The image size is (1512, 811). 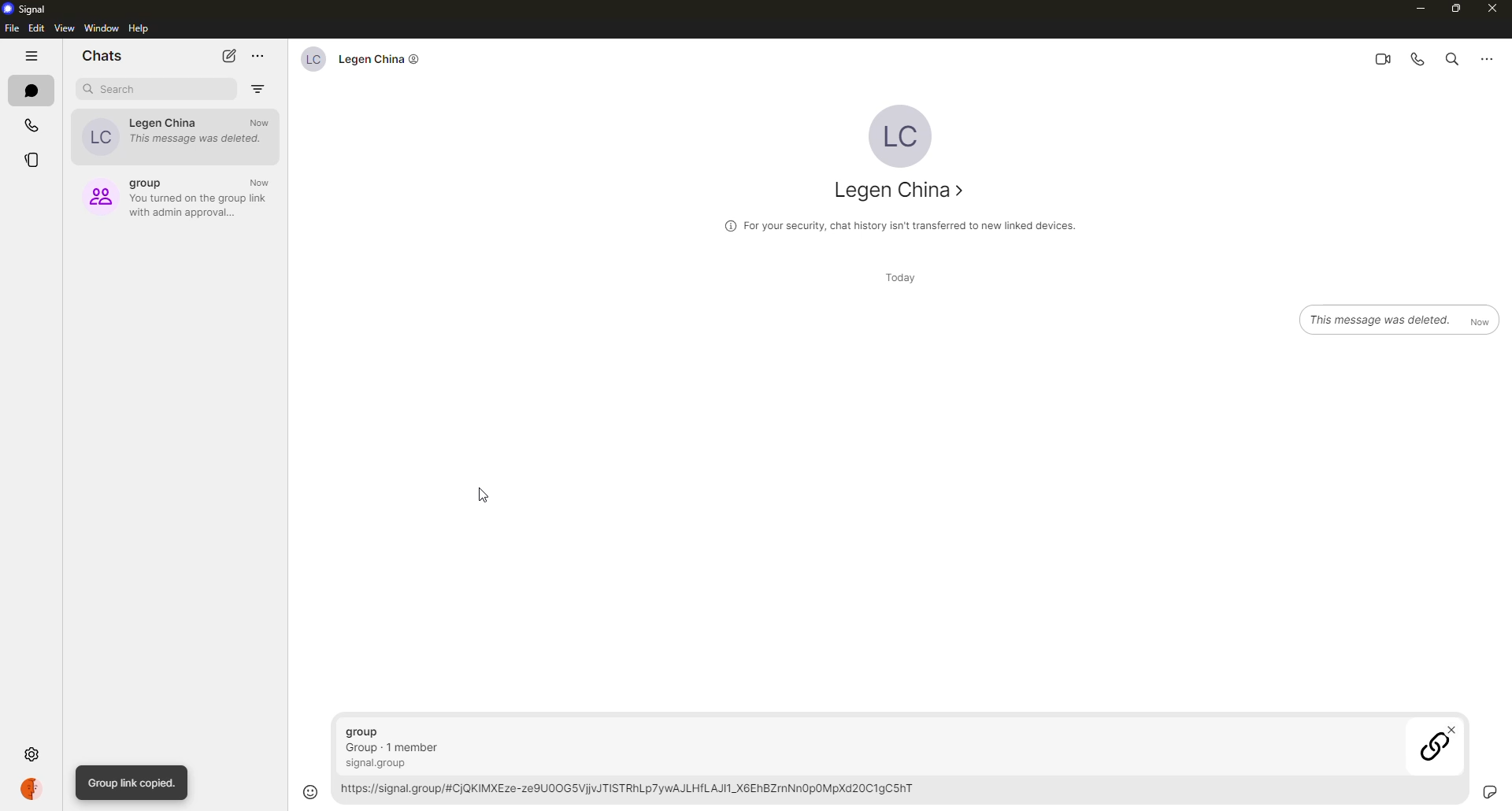 What do you see at coordinates (33, 754) in the screenshot?
I see `settings` at bounding box center [33, 754].